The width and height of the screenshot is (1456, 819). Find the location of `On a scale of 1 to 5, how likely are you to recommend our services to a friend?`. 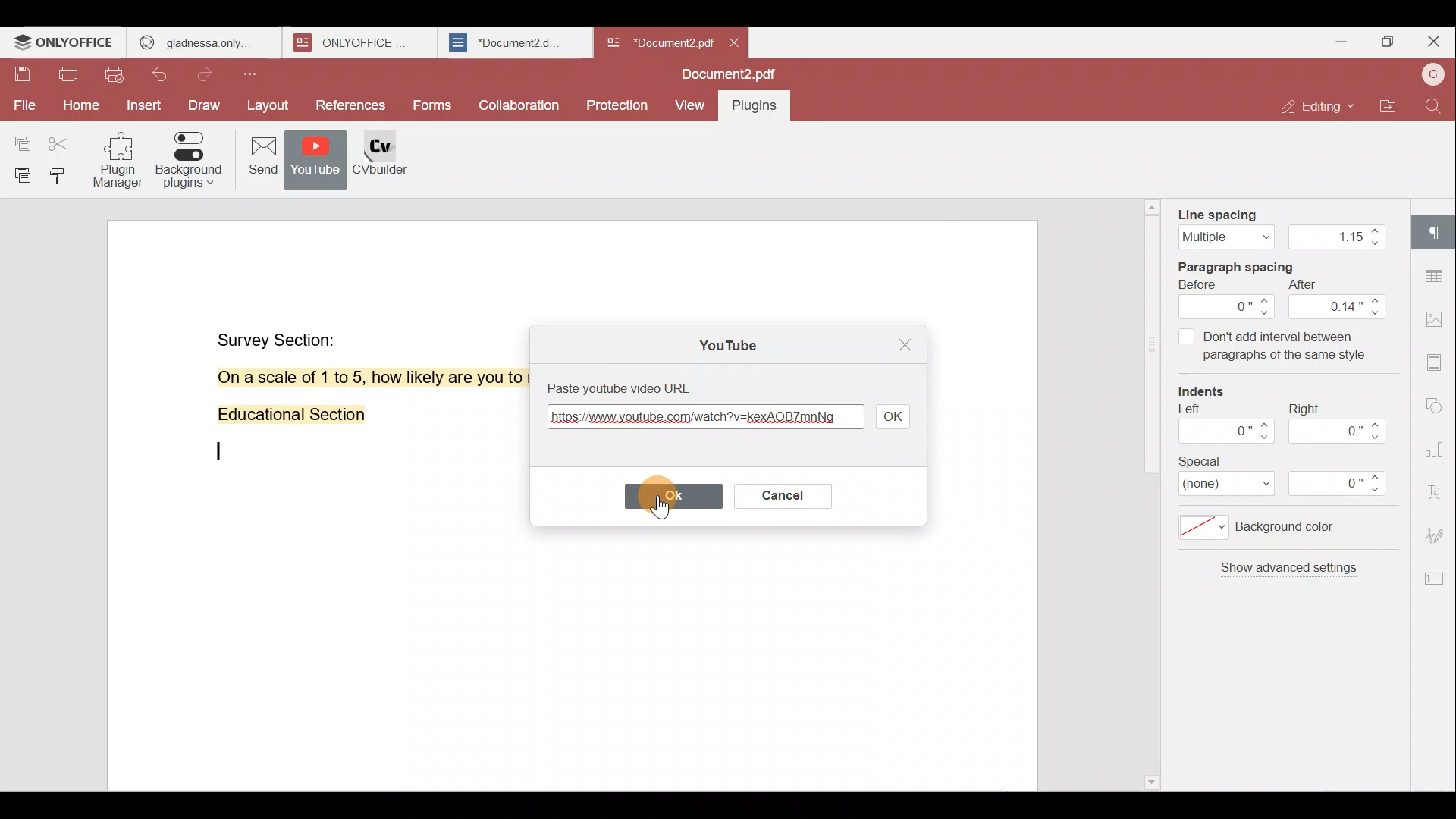

On a scale of 1 to 5, how likely are you to recommend our services to a friend? is located at coordinates (352, 378).